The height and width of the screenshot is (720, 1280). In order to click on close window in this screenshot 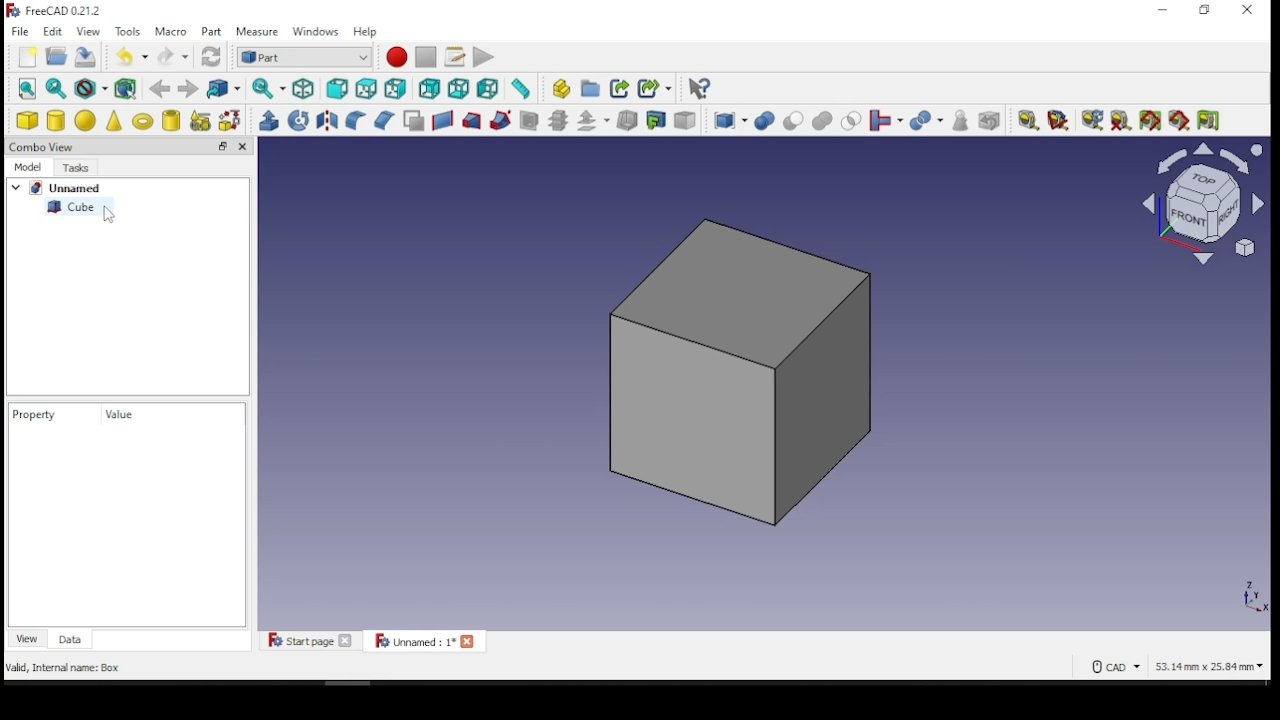, I will do `click(1248, 10)`.